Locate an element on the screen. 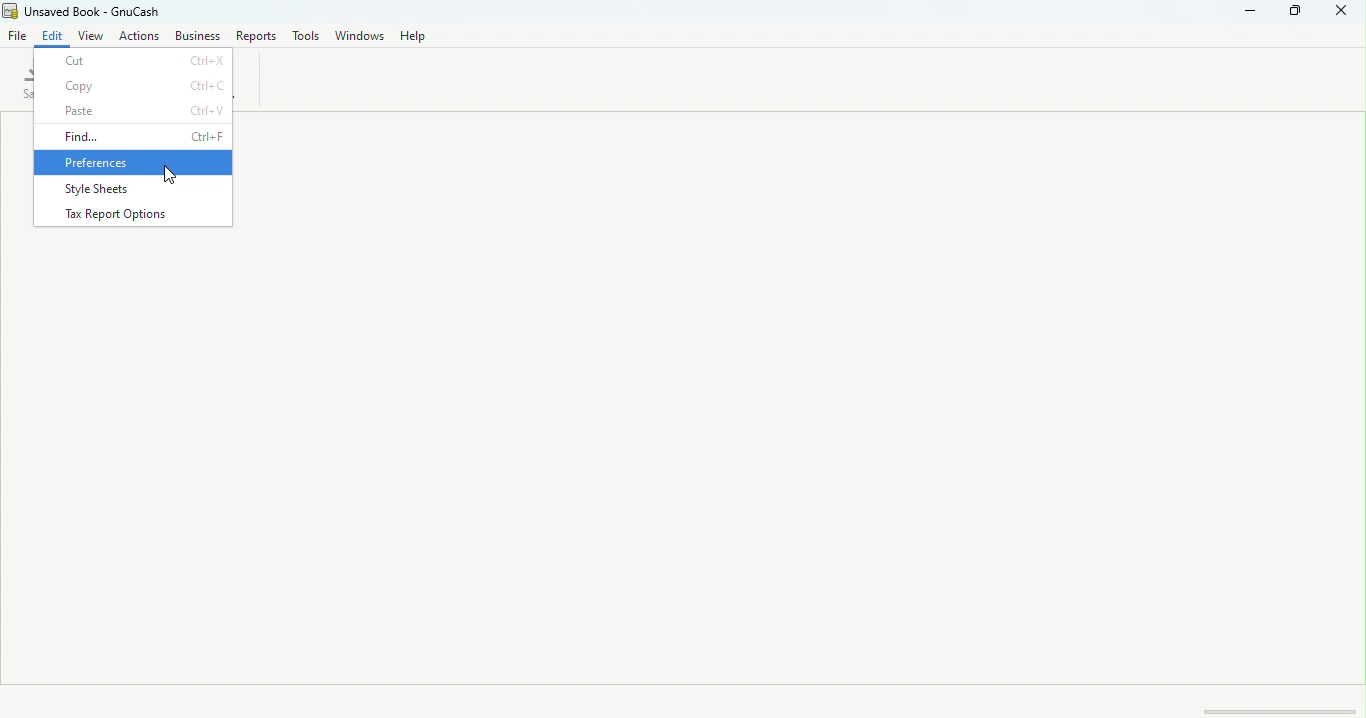 The height and width of the screenshot is (718, 1366). Minimize is located at coordinates (1246, 16).